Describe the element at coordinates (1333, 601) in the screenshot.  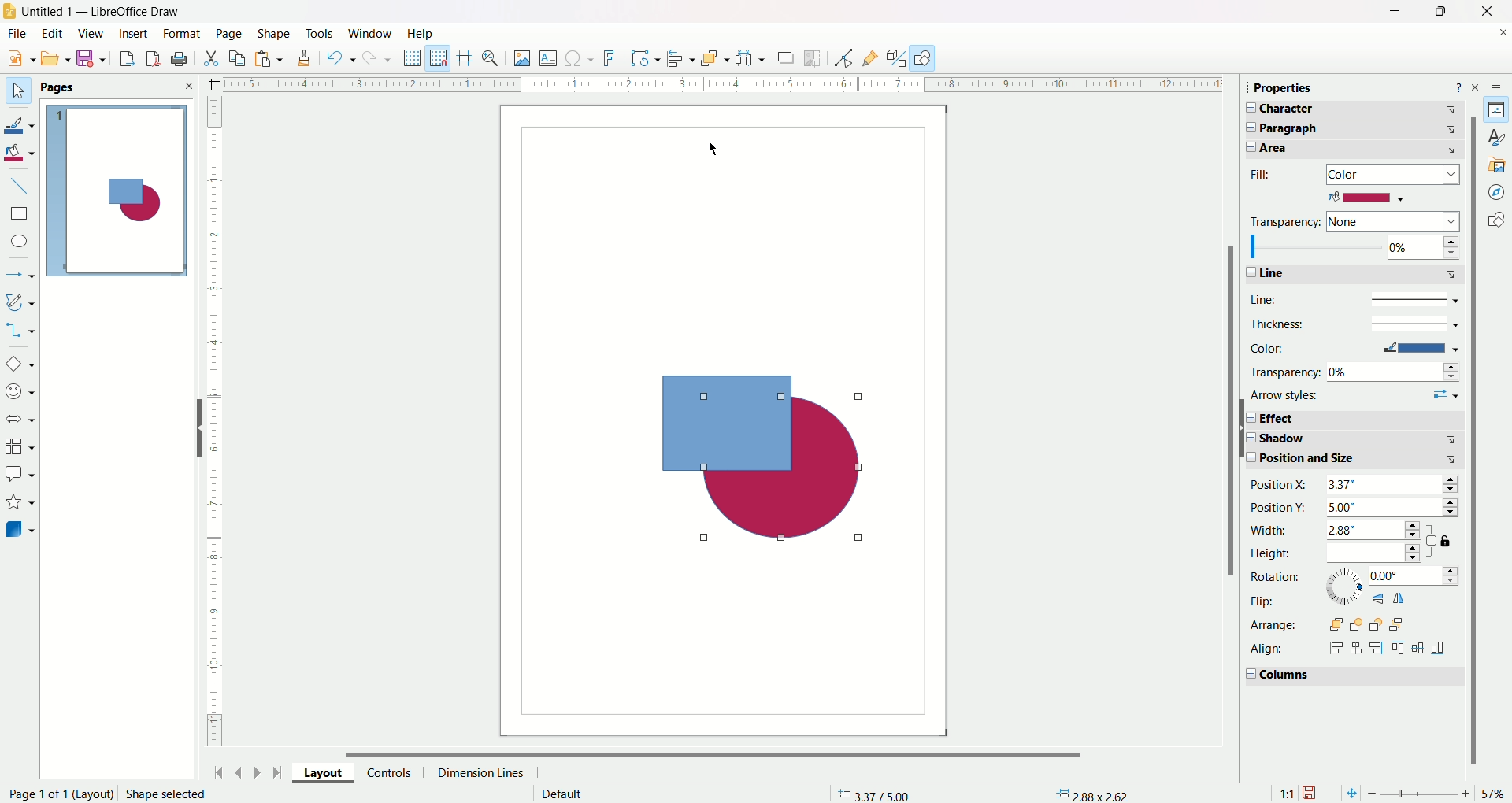
I see `flip` at that location.